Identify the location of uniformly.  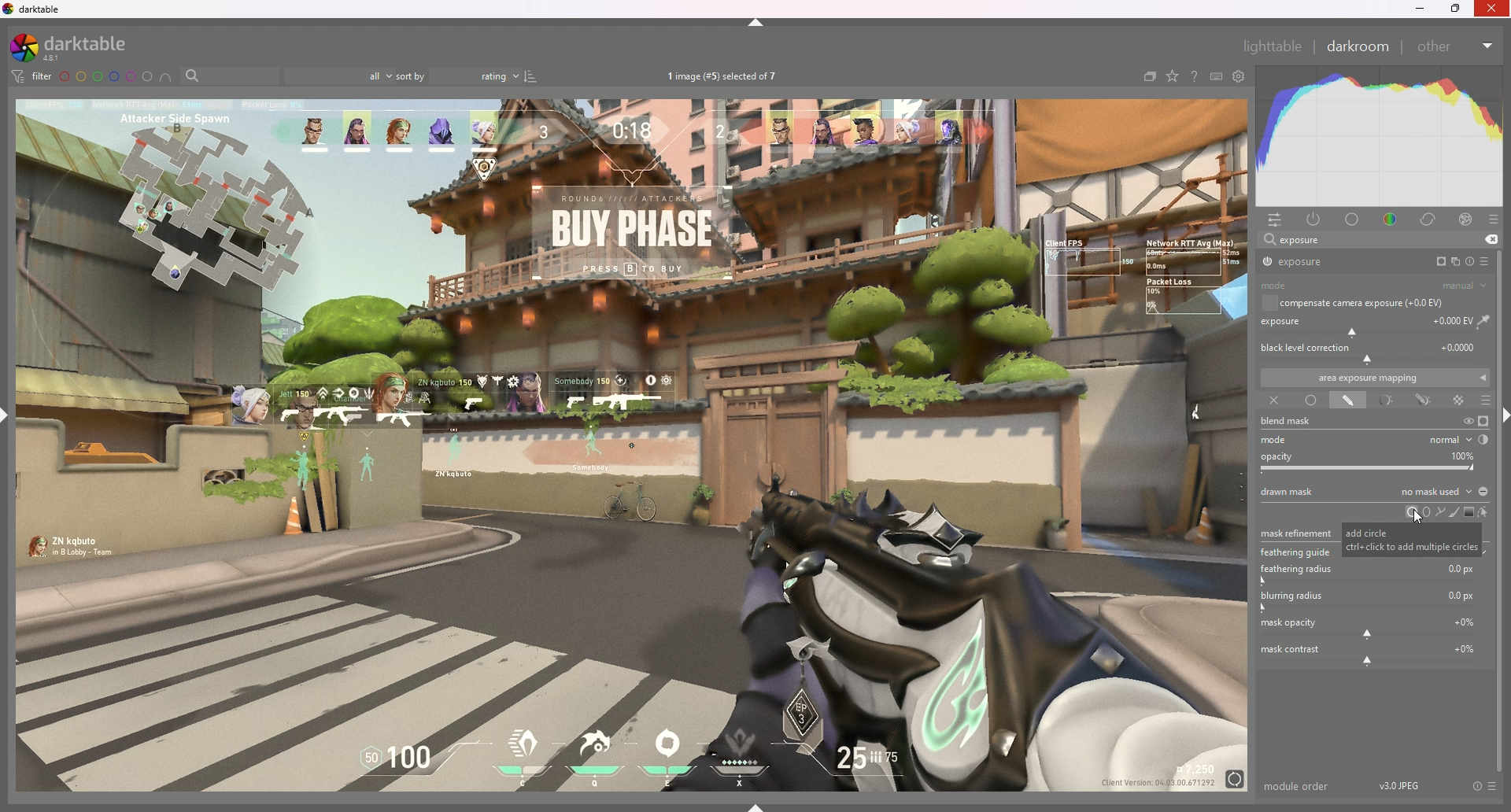
(1311, 400).